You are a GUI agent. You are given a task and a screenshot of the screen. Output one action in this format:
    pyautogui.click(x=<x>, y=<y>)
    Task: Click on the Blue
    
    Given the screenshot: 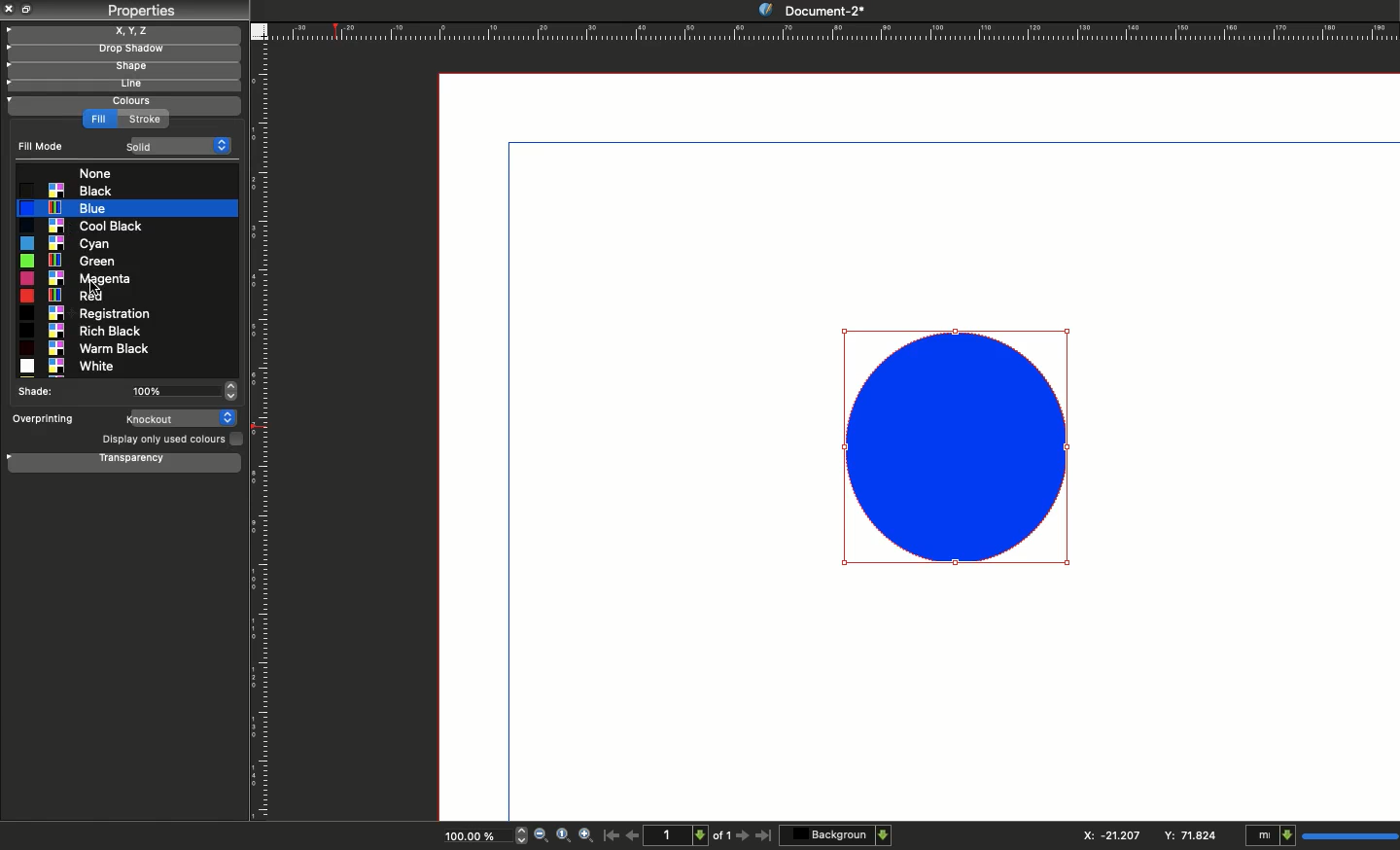 What is the action you would take?
    pyautogui.click(x=125, y=209)
    